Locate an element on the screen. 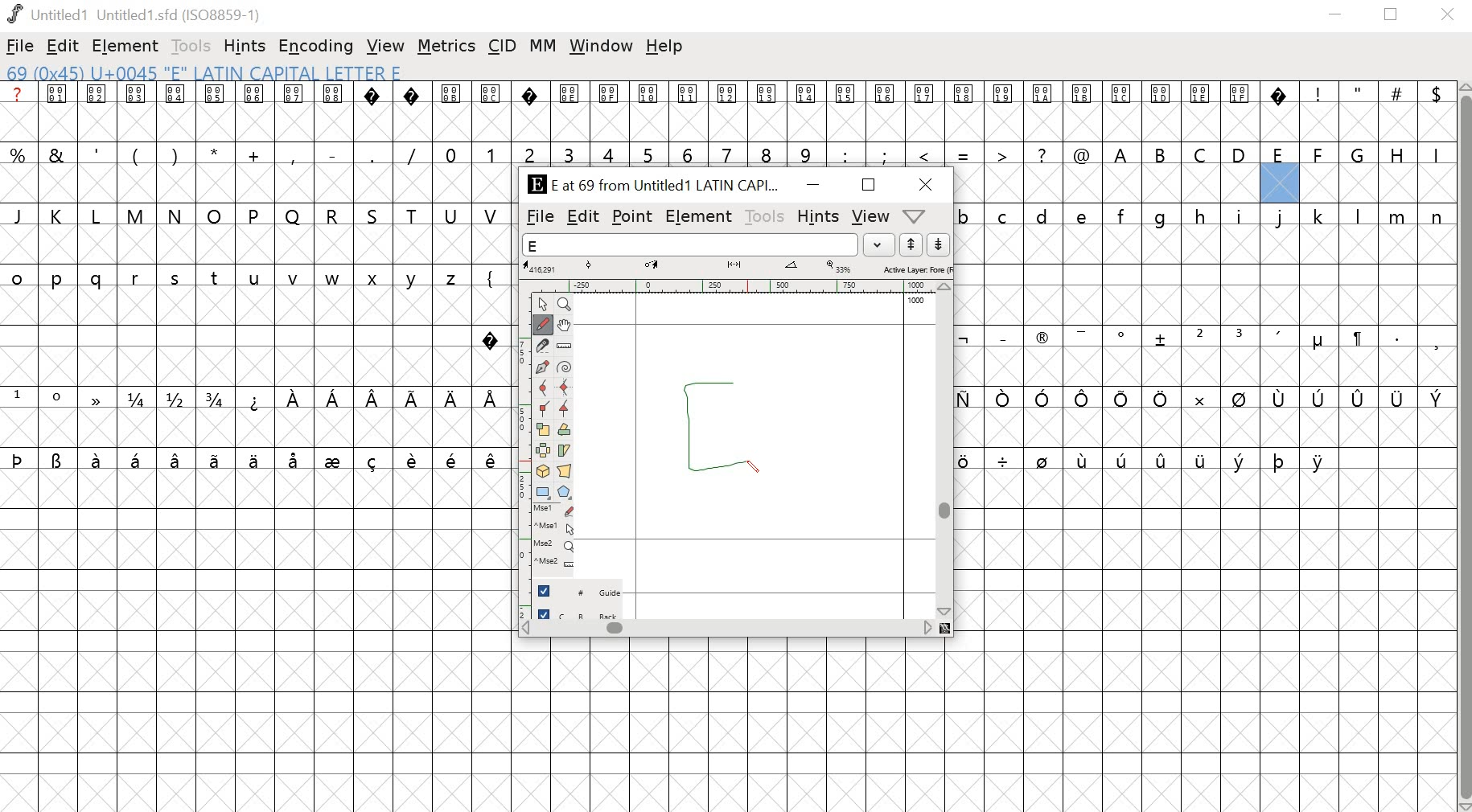 Image resolution: width=1472 pixels, height=812 pixels. Spiro is located at coordinates (565, 366).